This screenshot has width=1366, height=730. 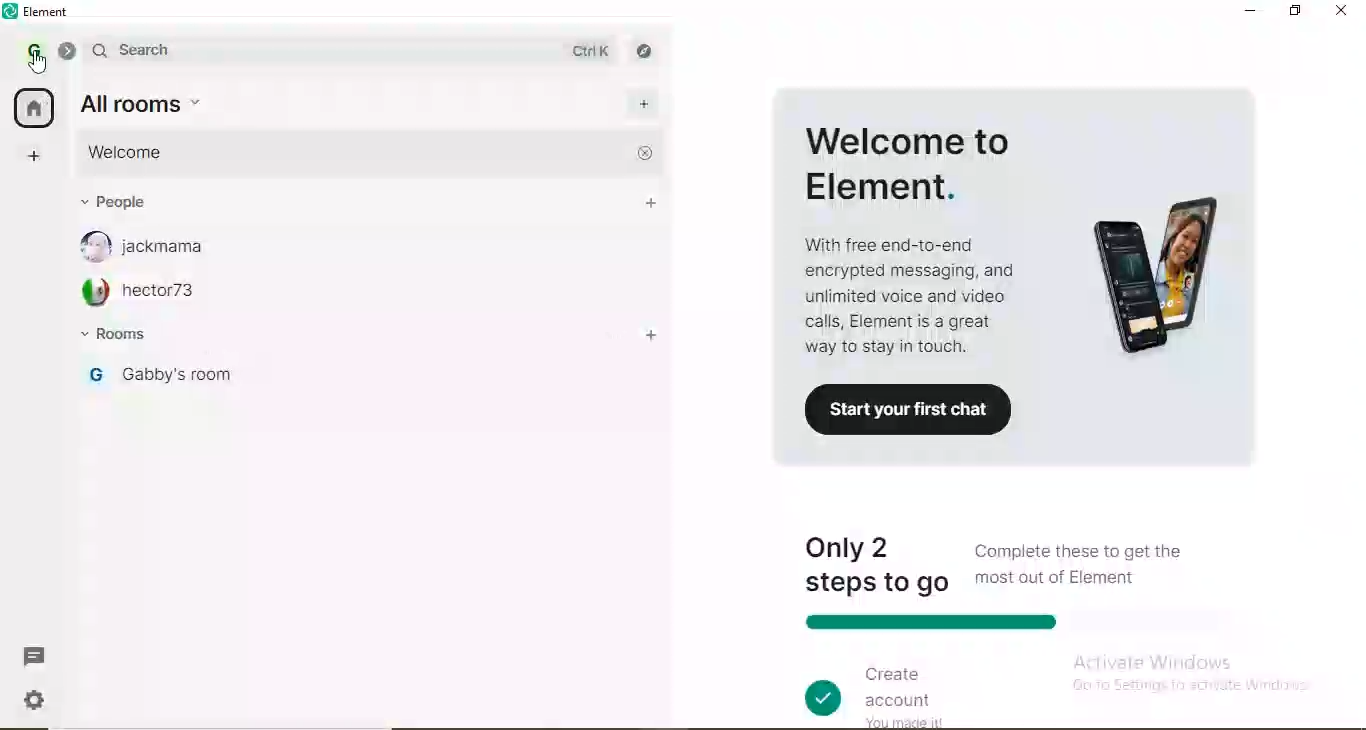 What do you see at coordinates (131, 334) in the screenshot?
I see `rooms` at bounding box center [131, 334].